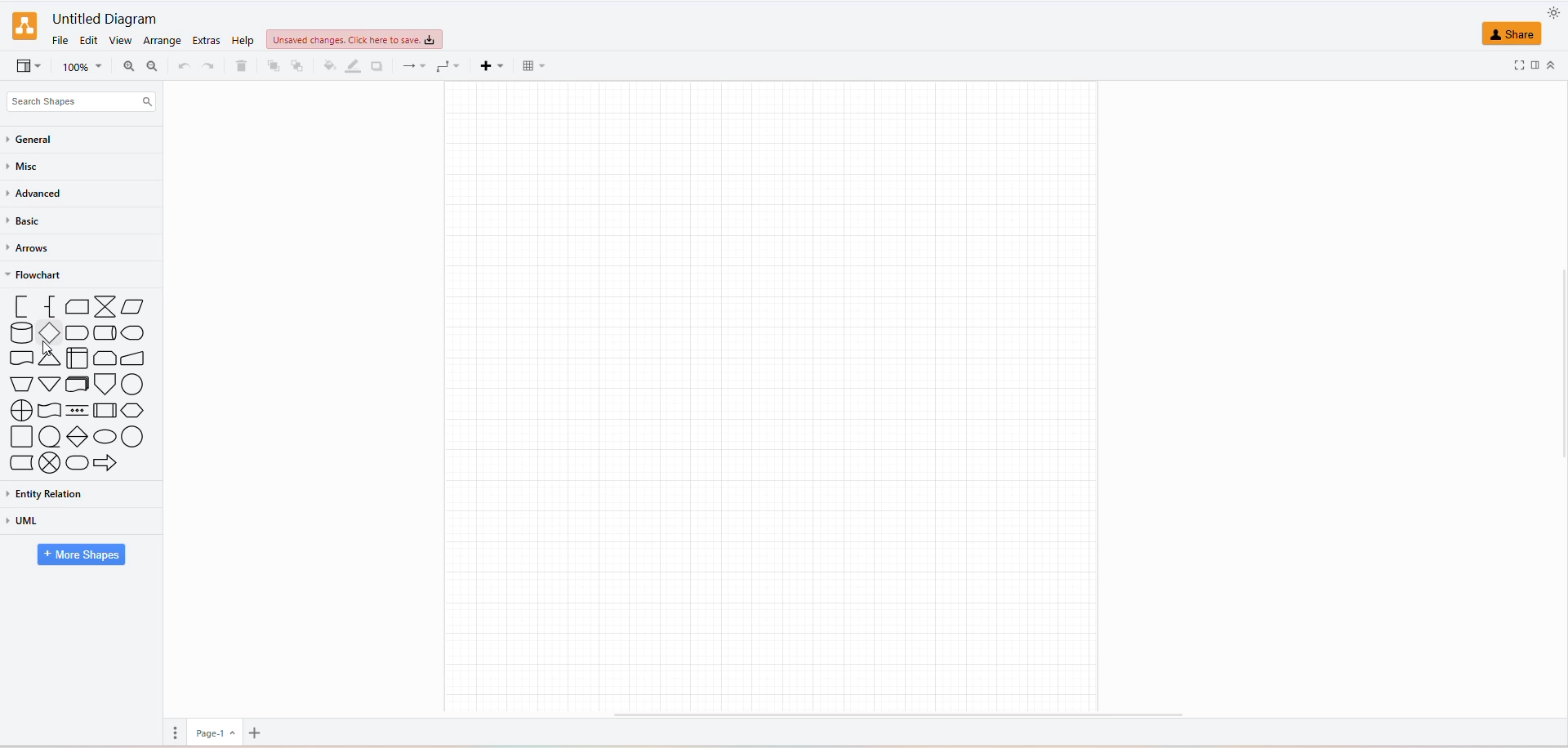 The width and height of the screenshot is (1568, 748). Describe the element at coordinates (296, 66) in the screenshot. I see `TO BACK` at that location.